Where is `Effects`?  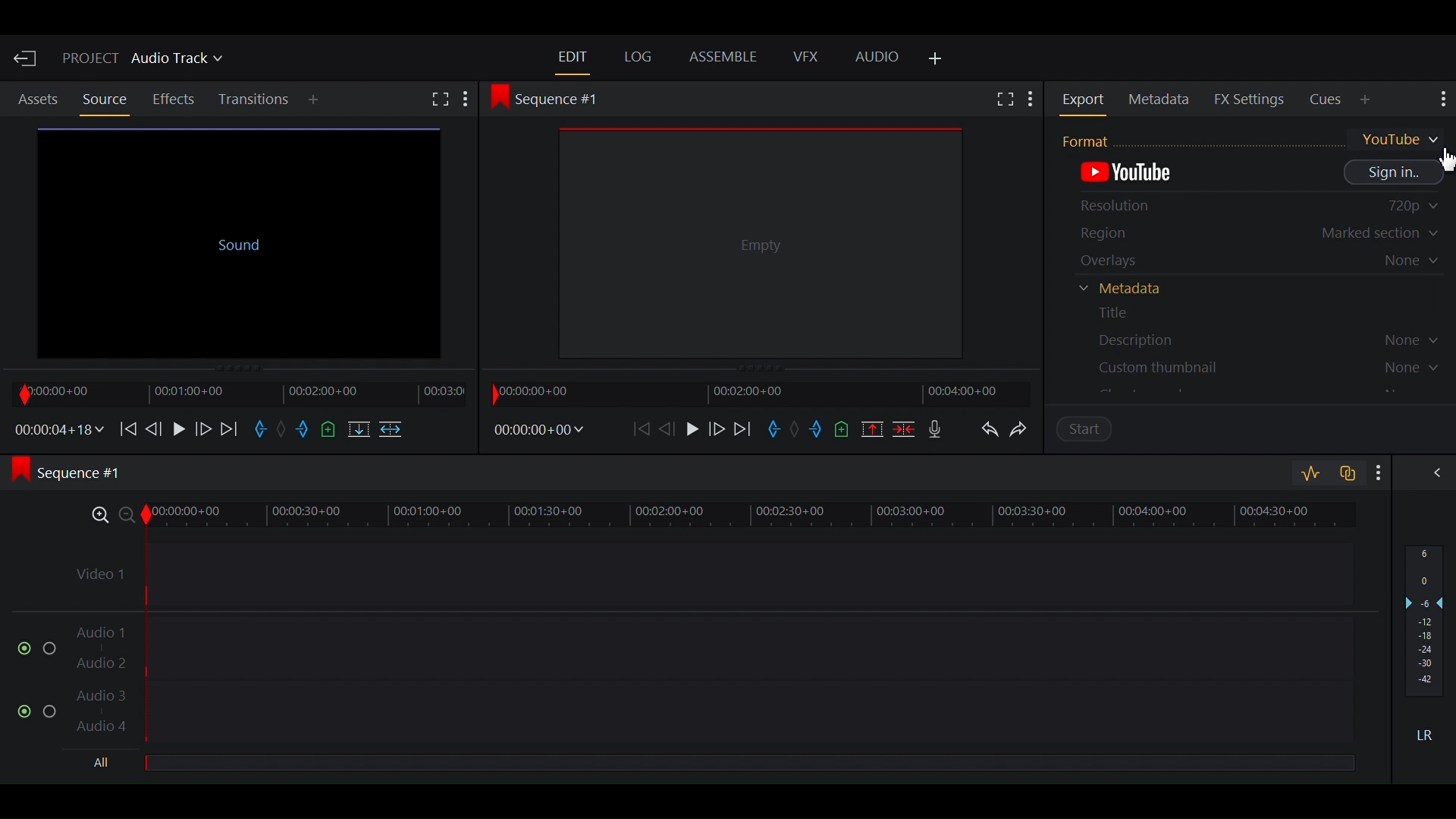 Effects is located at coordinates (176, 99).